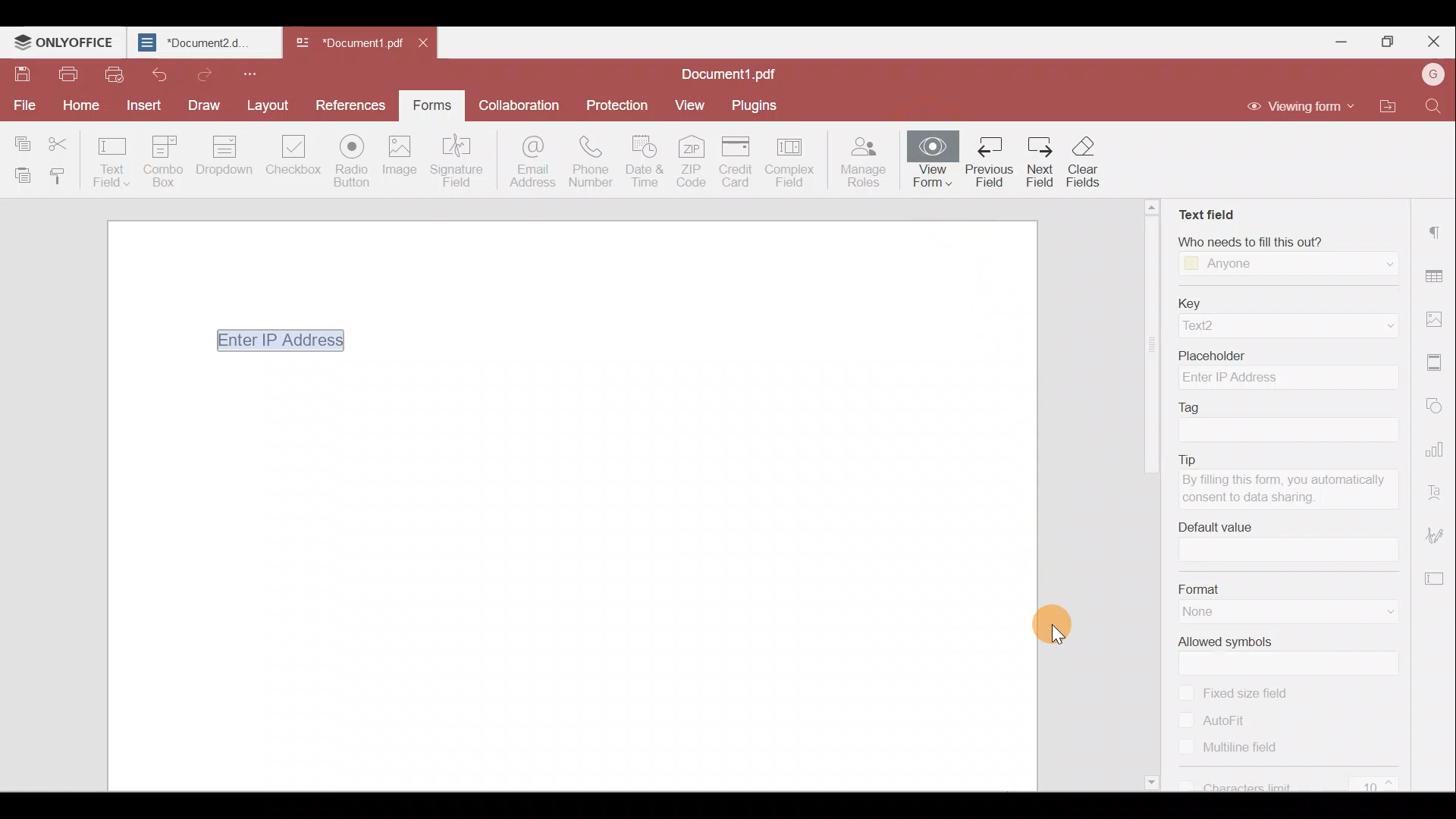  What do you see at coordinates (1438, 406) in the screenshot?
I see `Shapes settings` at bounding box center [1438, 406].